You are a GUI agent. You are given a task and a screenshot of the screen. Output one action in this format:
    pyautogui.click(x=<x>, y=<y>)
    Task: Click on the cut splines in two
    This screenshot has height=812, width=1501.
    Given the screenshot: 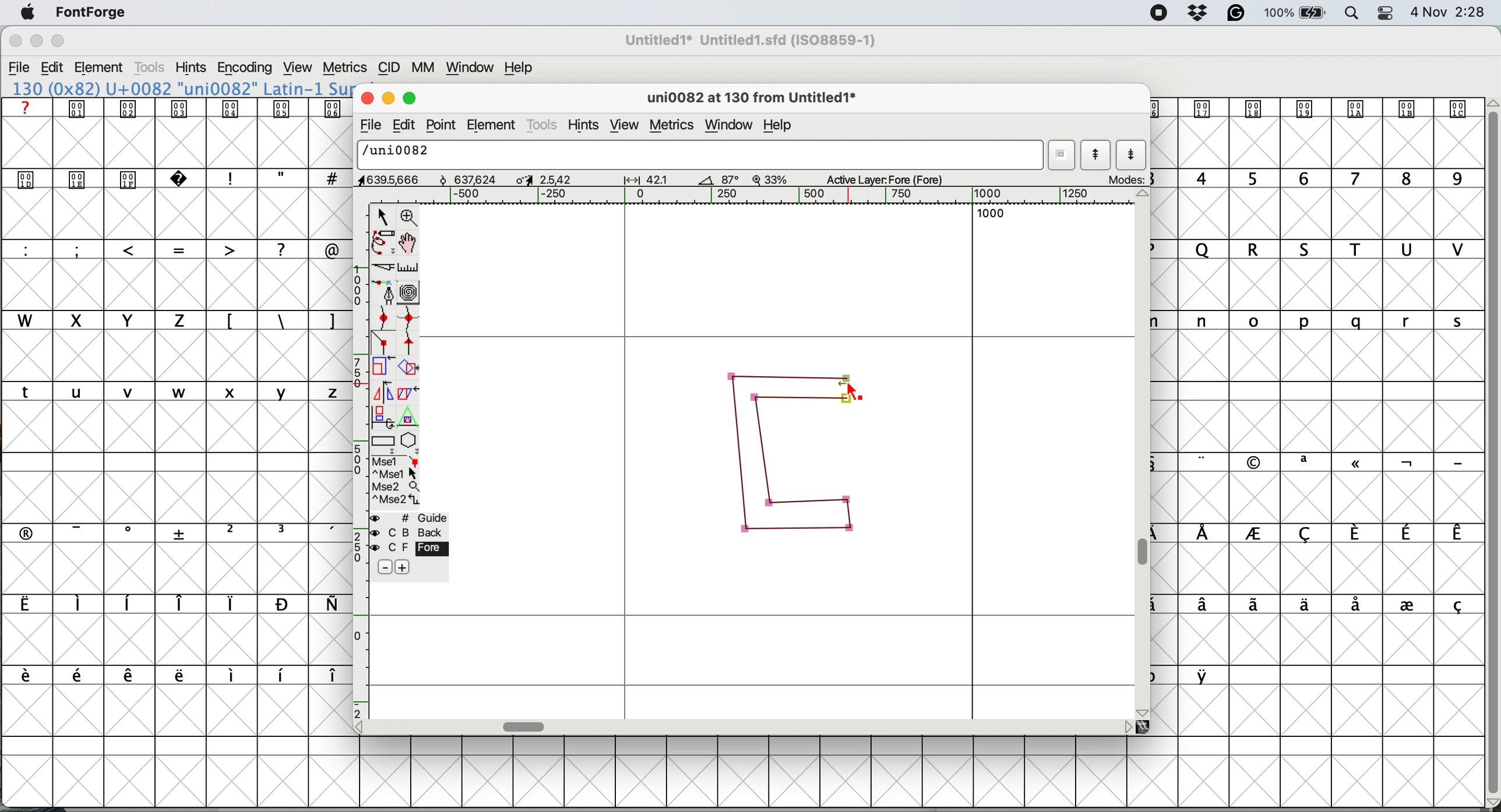 What is the action you would take?
    pyautogui.click(x=386, y=267)
    